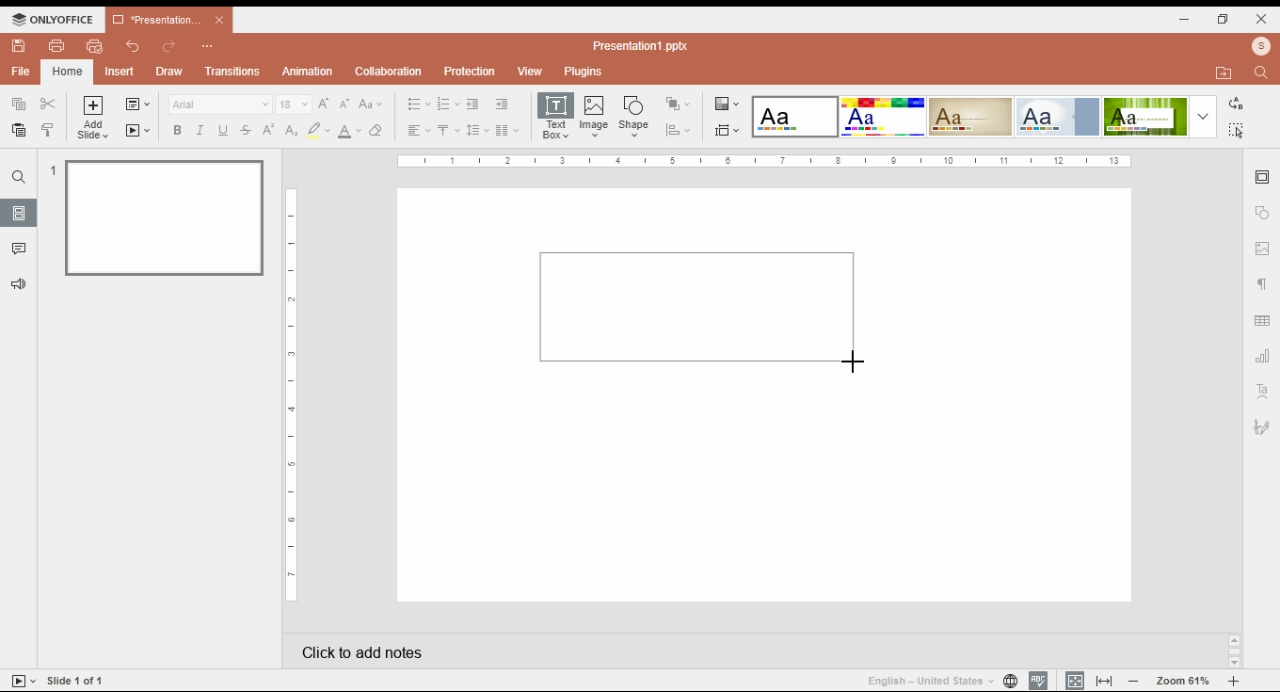  What do you see at coordinates (470, 70) in the screenshot?
I see `protection` at bounding box center [470, 70].